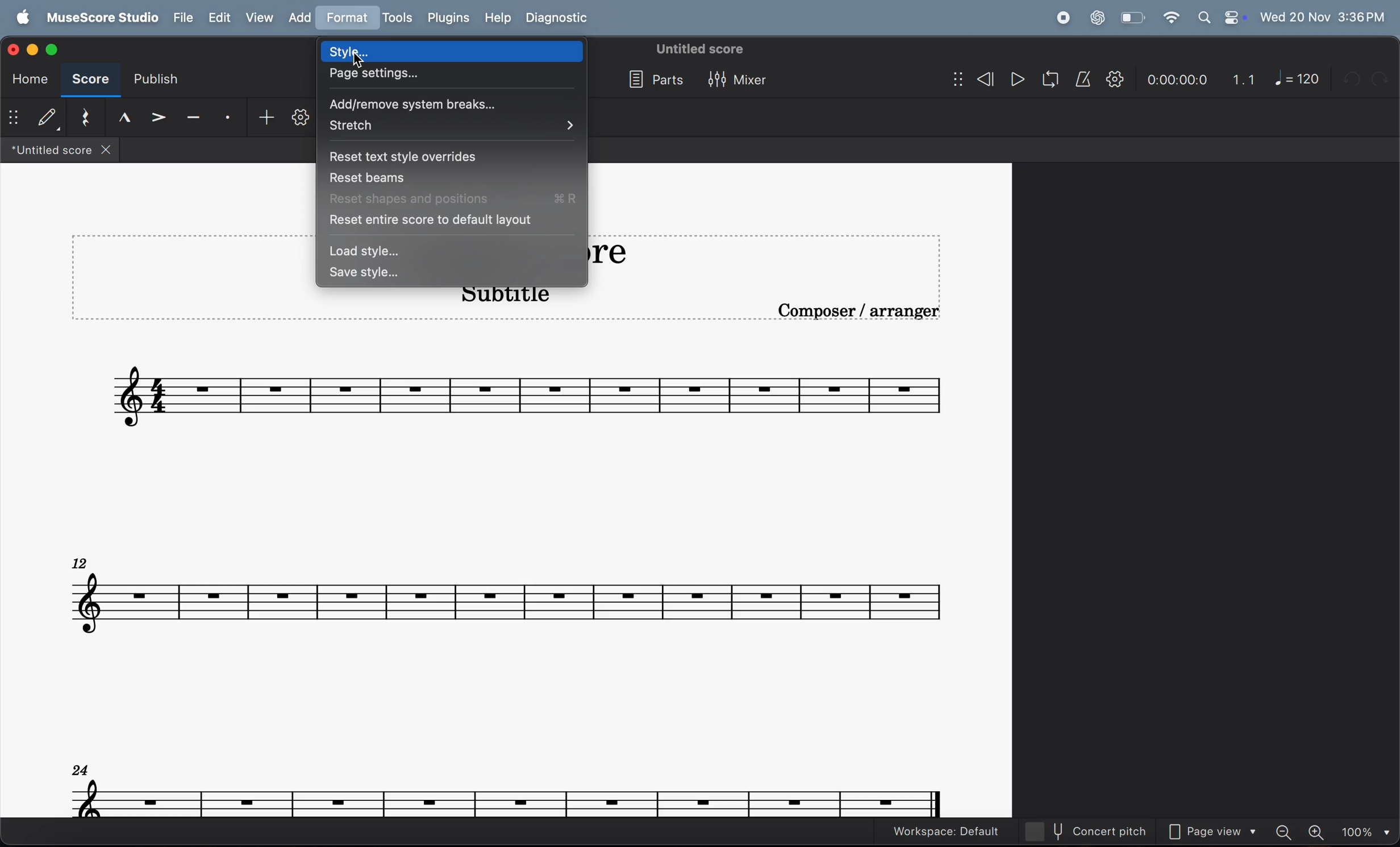 This screenshot has height=847, width=1400. Describe the element at coordinates (1098, 18) in the screenshot. I see `chat gpt` at that location.